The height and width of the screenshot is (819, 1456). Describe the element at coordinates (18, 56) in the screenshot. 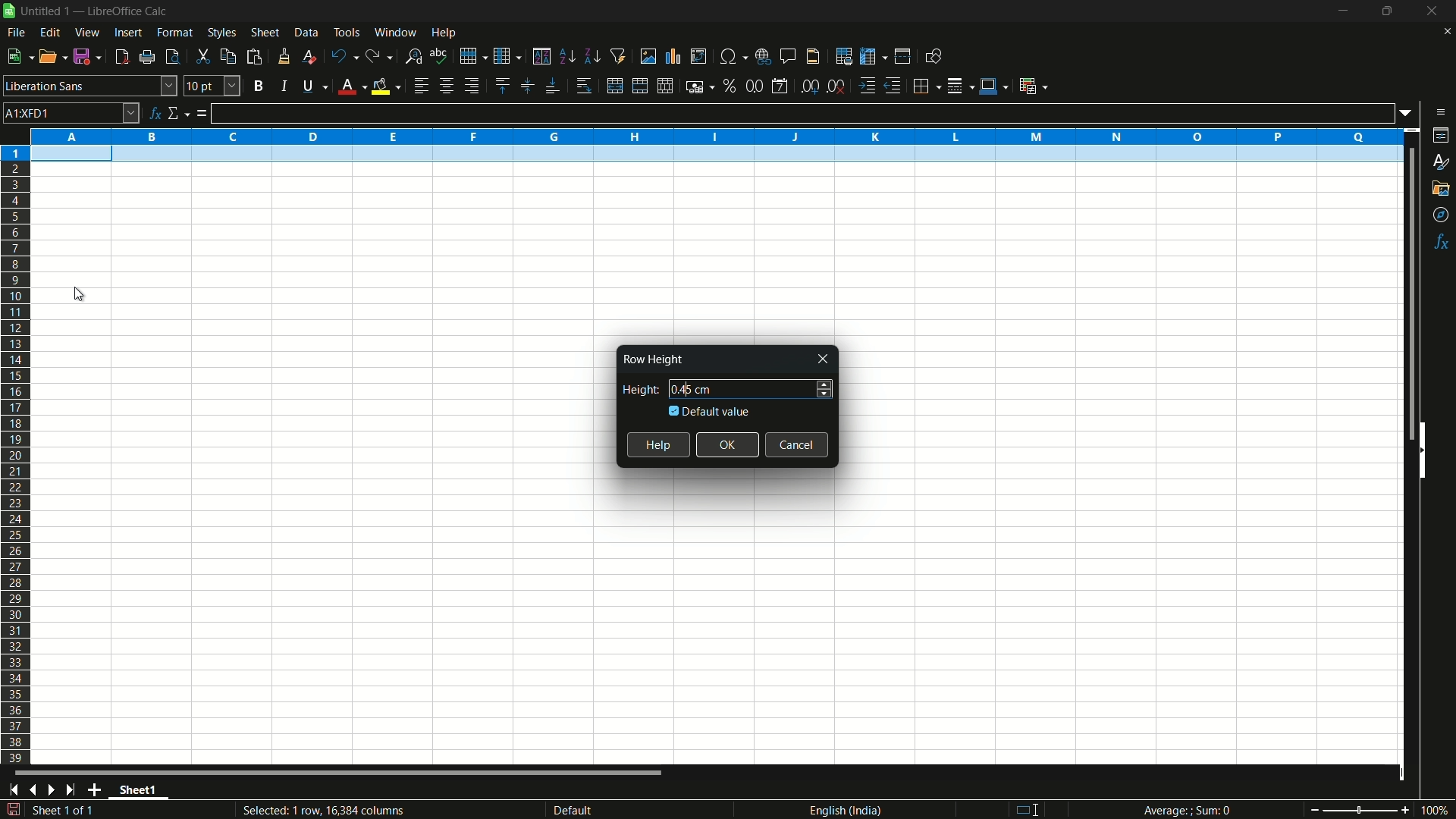

I see `new file` at that location.